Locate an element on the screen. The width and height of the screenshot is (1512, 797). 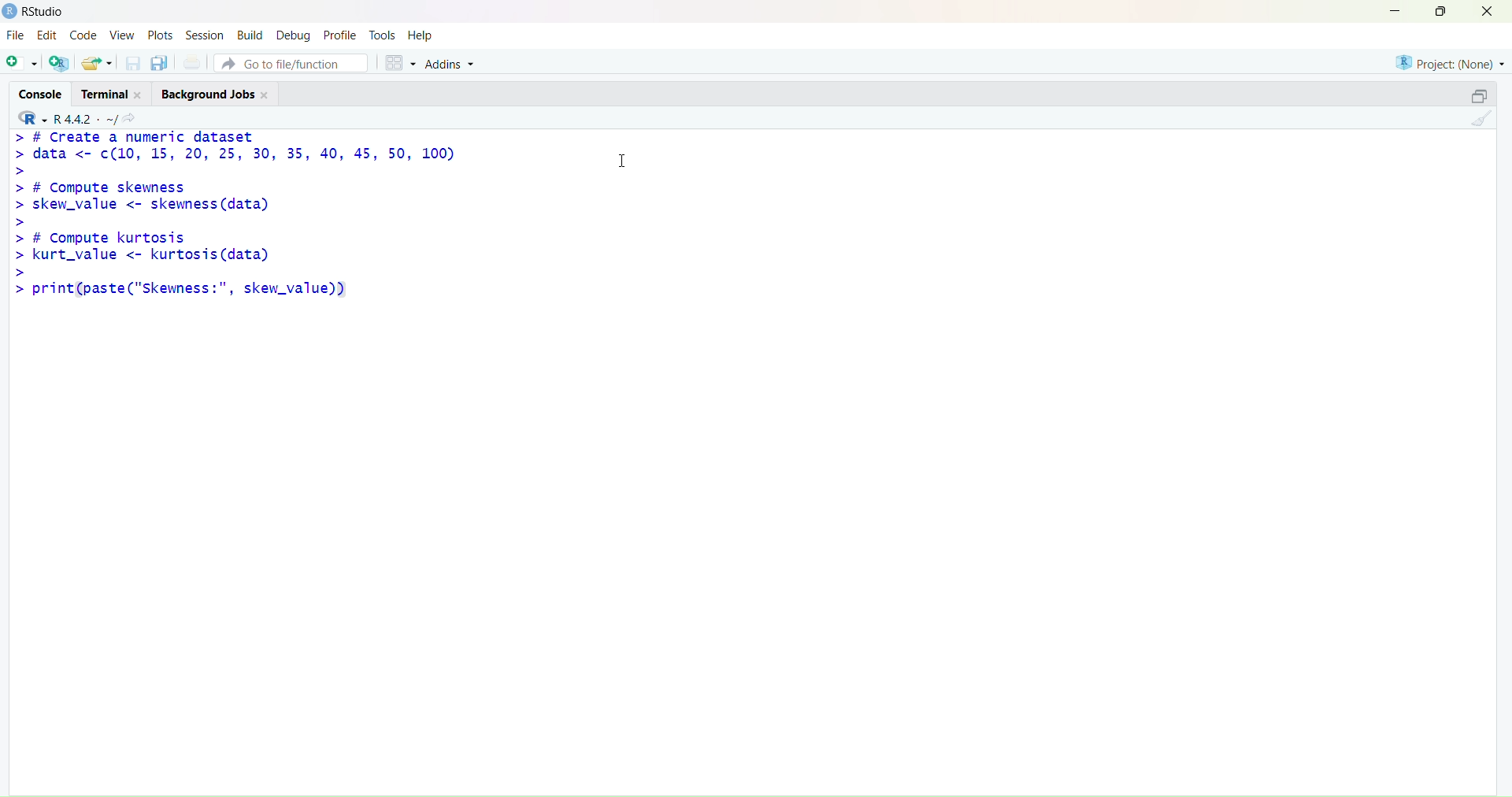
Create a project is located at coordinates (59, 63).